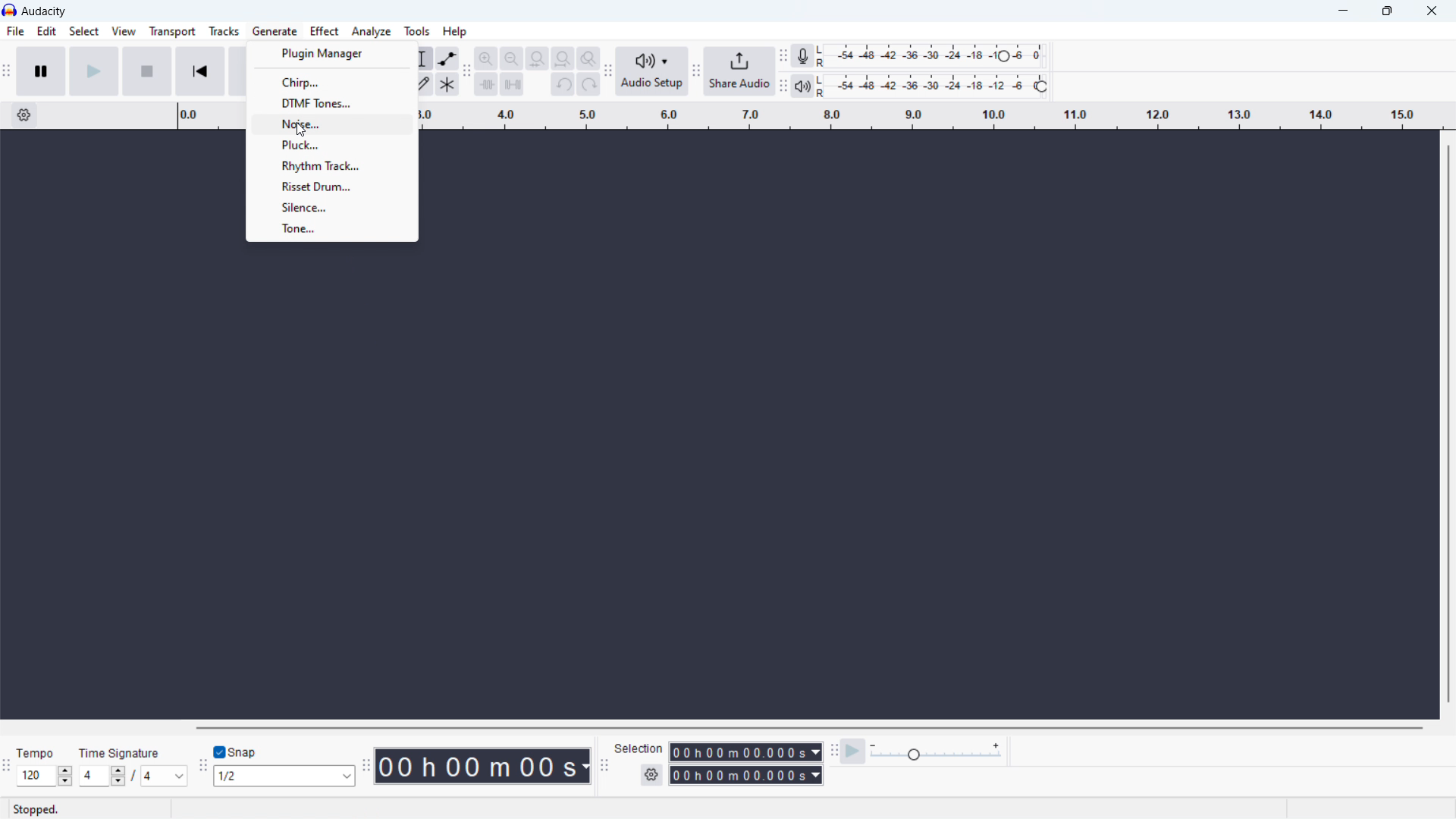 The width and height of the screenshot is (1456, 819). What do you see at coordinates (371, 30) in the screenshot?
I see `Analyze` at bounding box center [371, 30].